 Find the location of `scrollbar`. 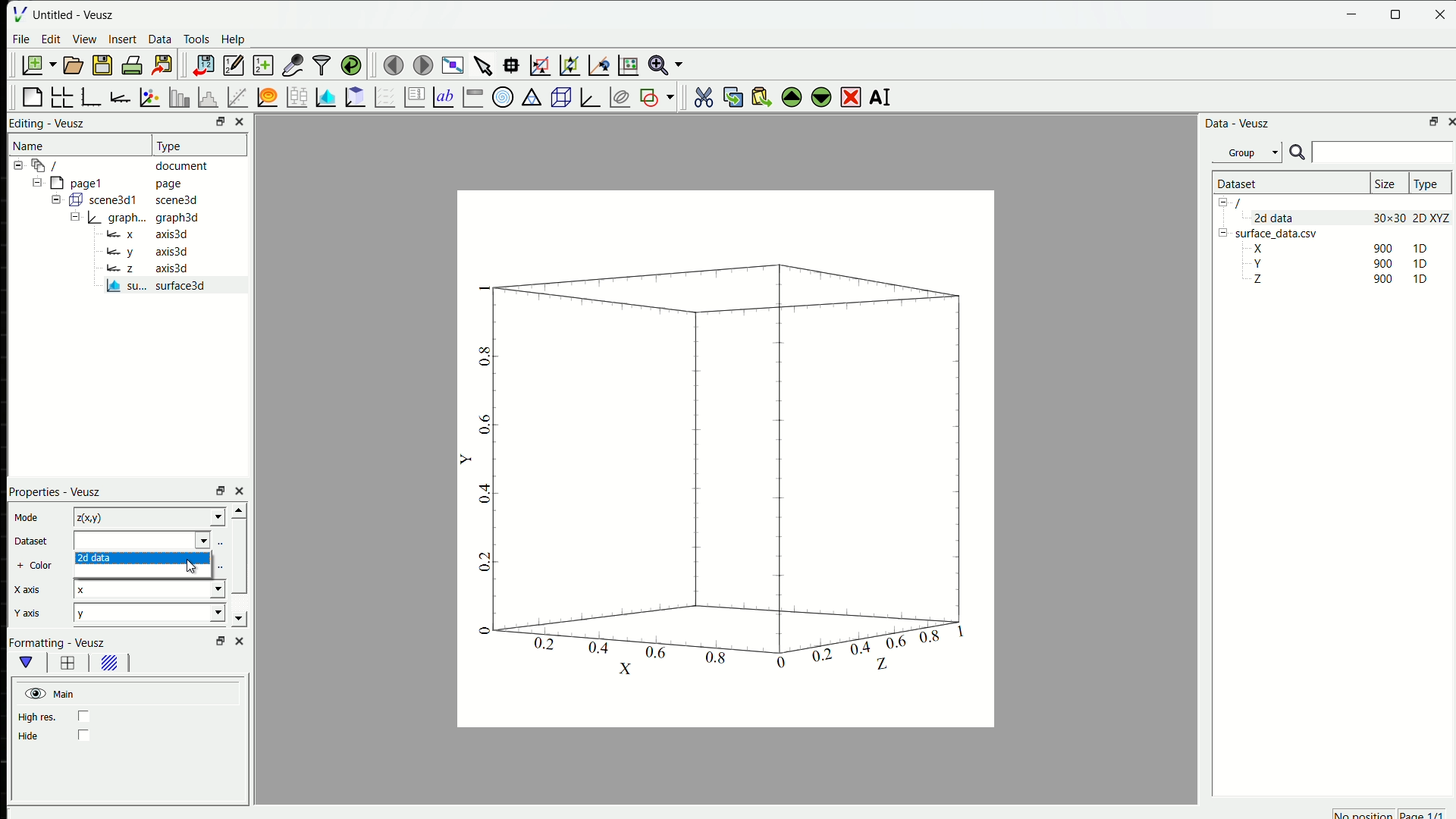

scrollbar is located at coordinates (241, 557).